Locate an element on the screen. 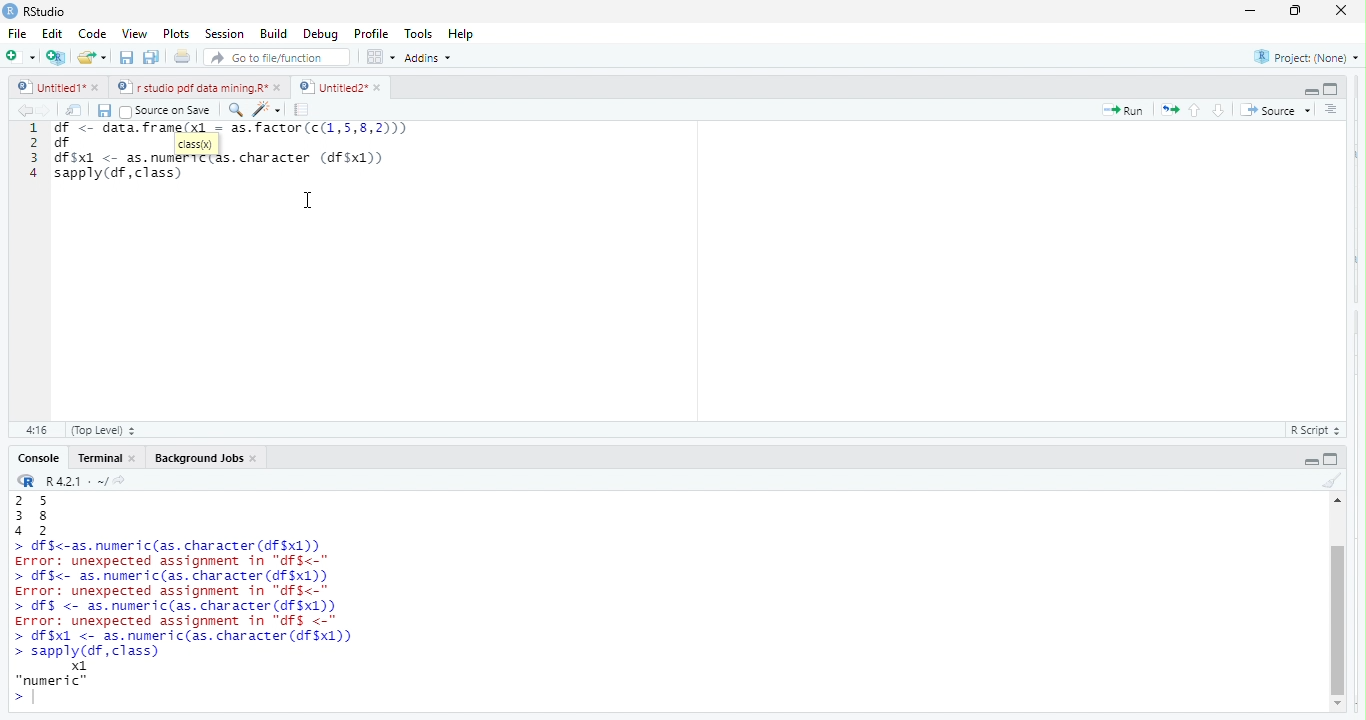 This screenshot has width=1366, height=720. hide console is located at coordinates (1332, 88).